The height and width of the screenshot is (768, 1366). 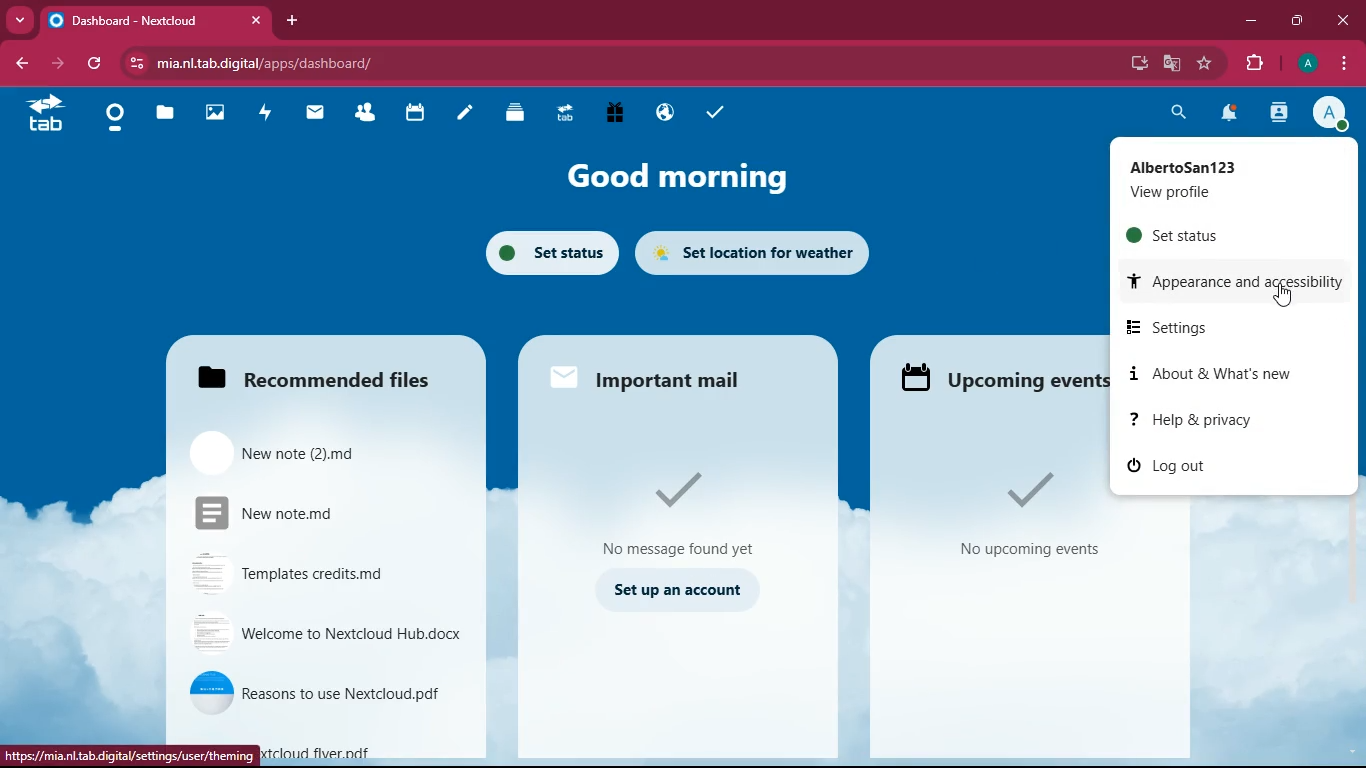 I want to click on gift, so click(x=614, y=112).